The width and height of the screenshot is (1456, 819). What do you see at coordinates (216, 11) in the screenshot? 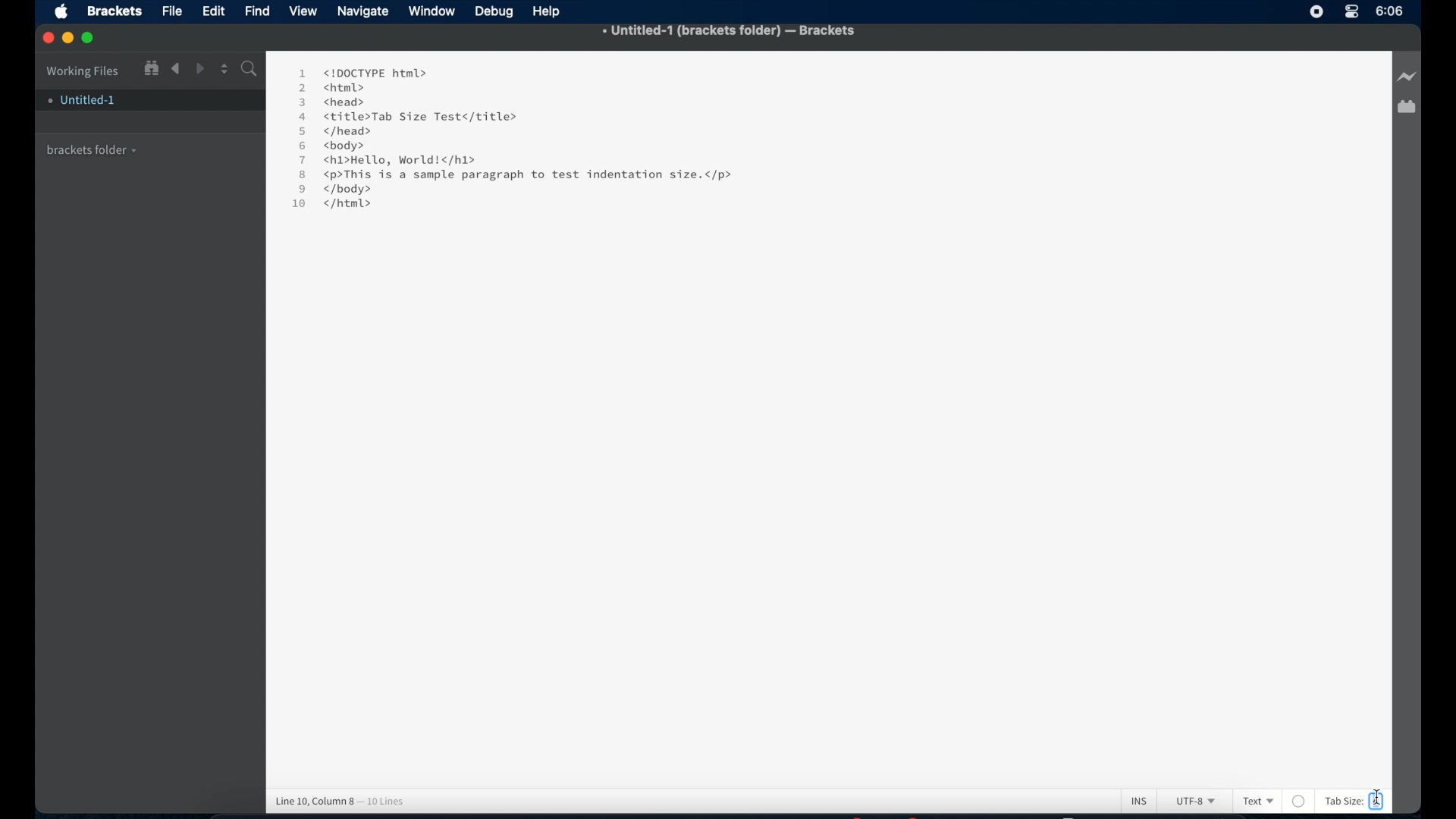
I see `Edit` at bounding box center [216, 11].